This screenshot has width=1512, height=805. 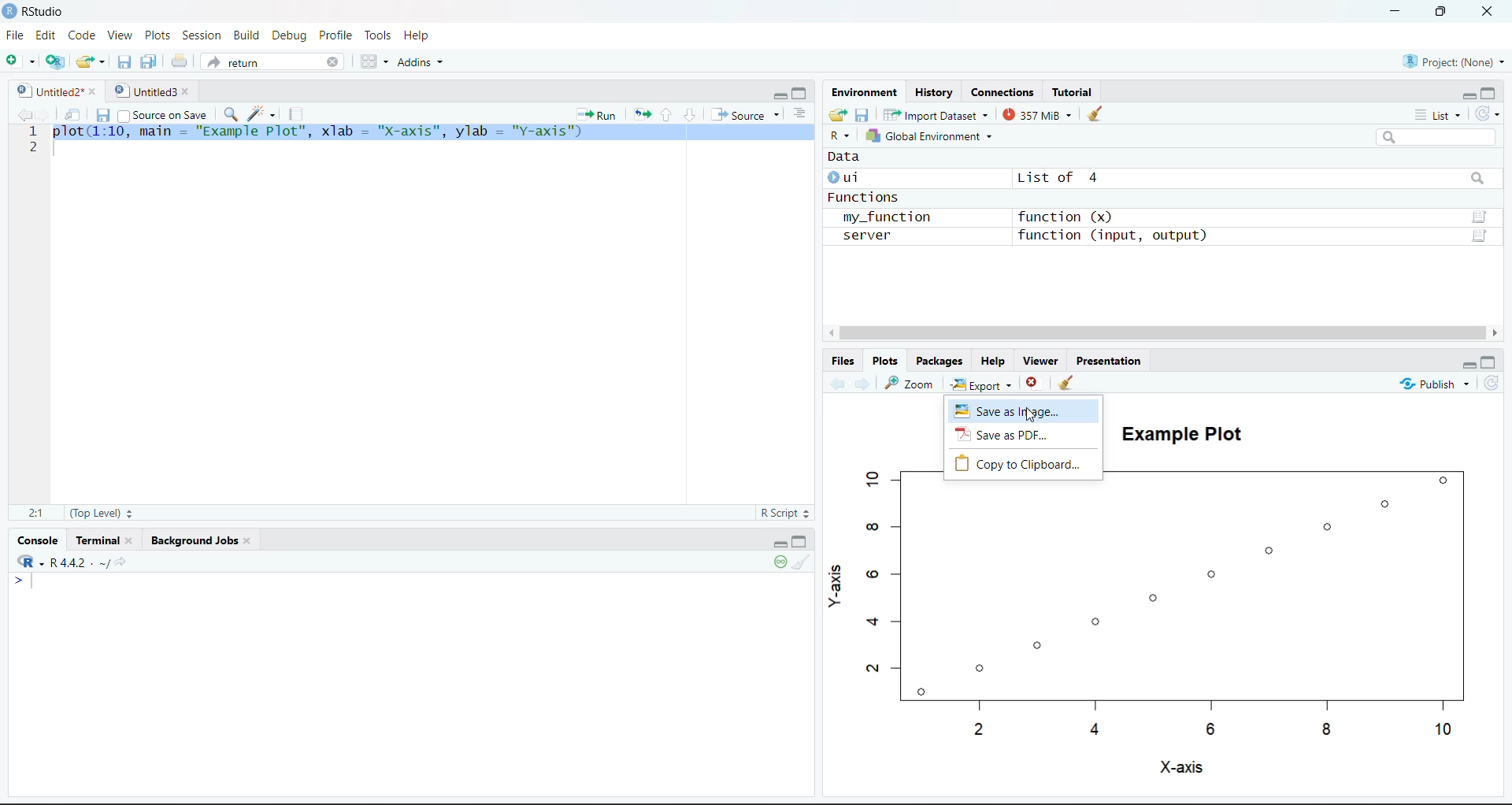 What do you see at coordinates (996, 360) in the screenshot?
I see `Help` at bounding box center [996, 360].